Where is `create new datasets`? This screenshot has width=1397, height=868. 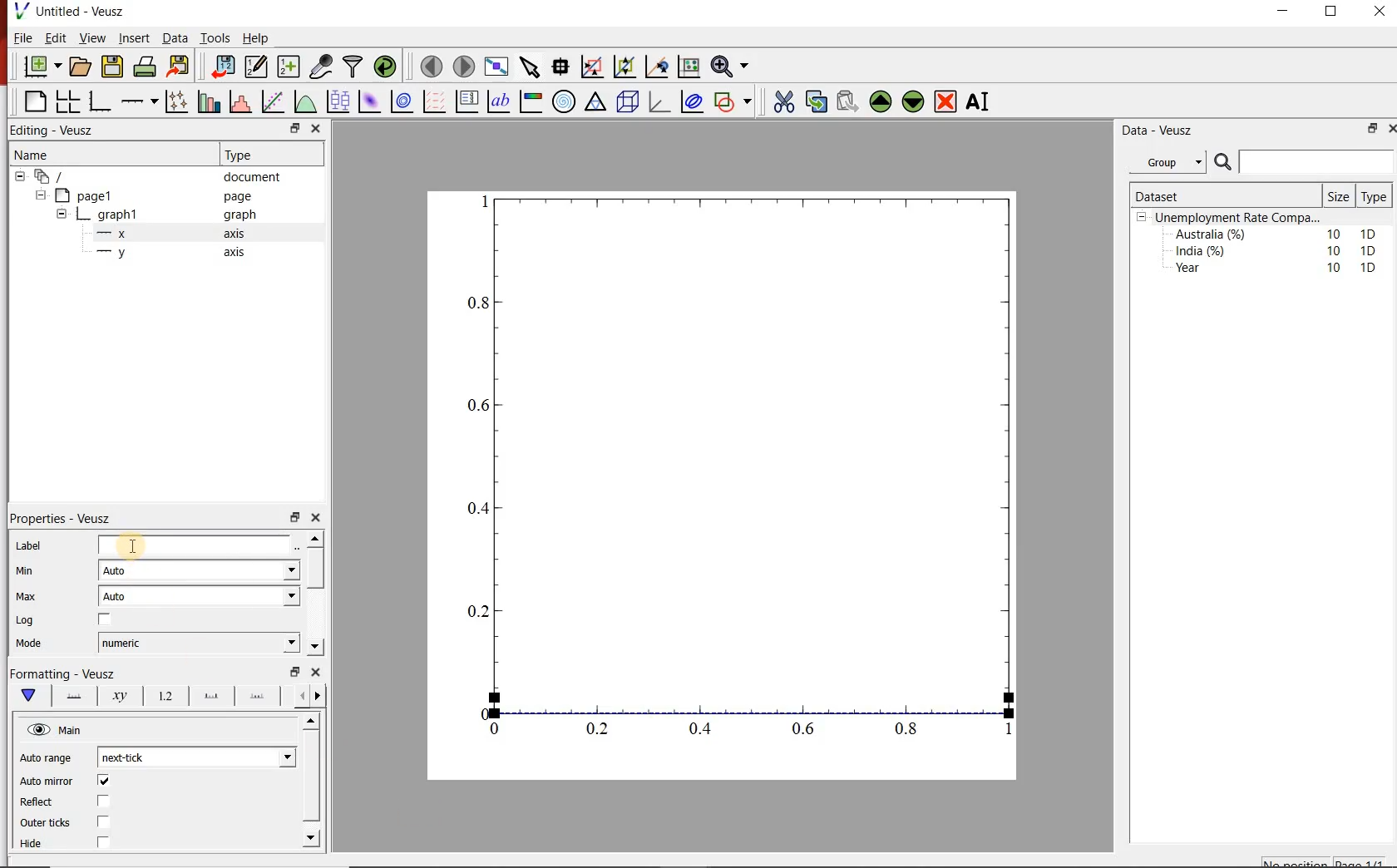
create new datasets is located at coordinates (288, 67).